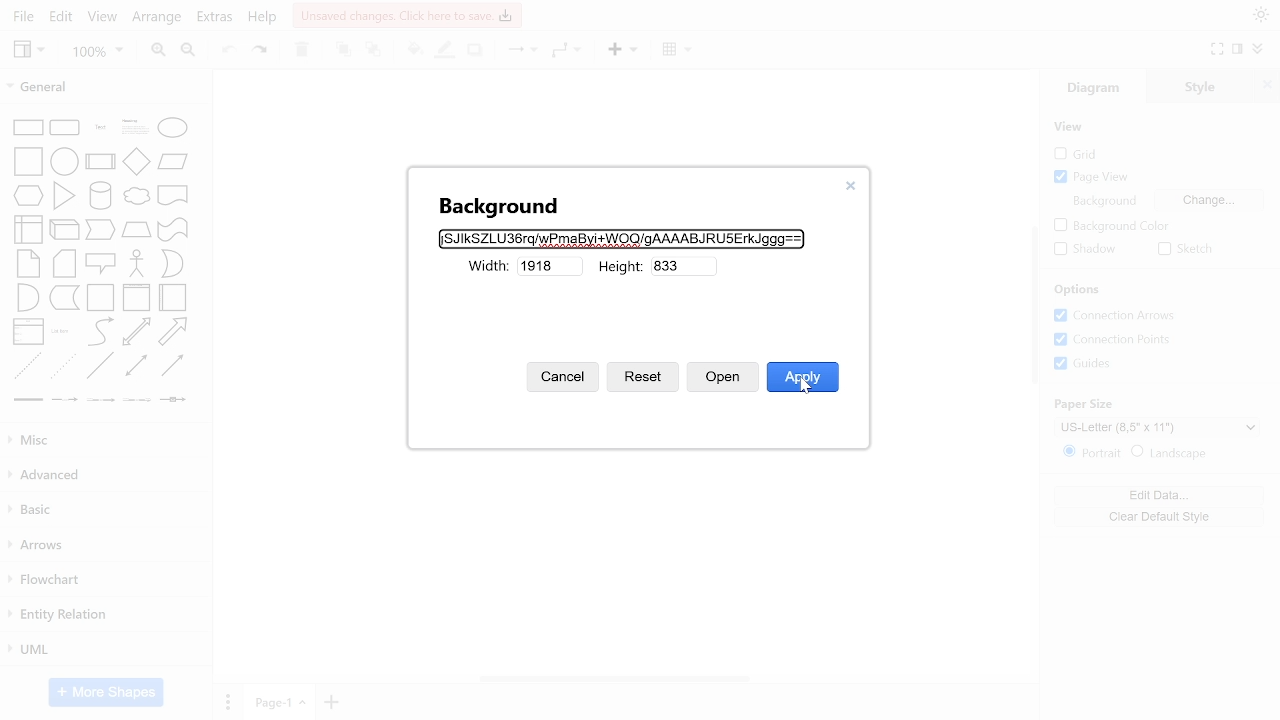 The height and width of the screenshot is (720, 1280). What do you see at coordinates (1102, 88) in the screenshot?
I see `diagram` at bounding box center [1102, 88].